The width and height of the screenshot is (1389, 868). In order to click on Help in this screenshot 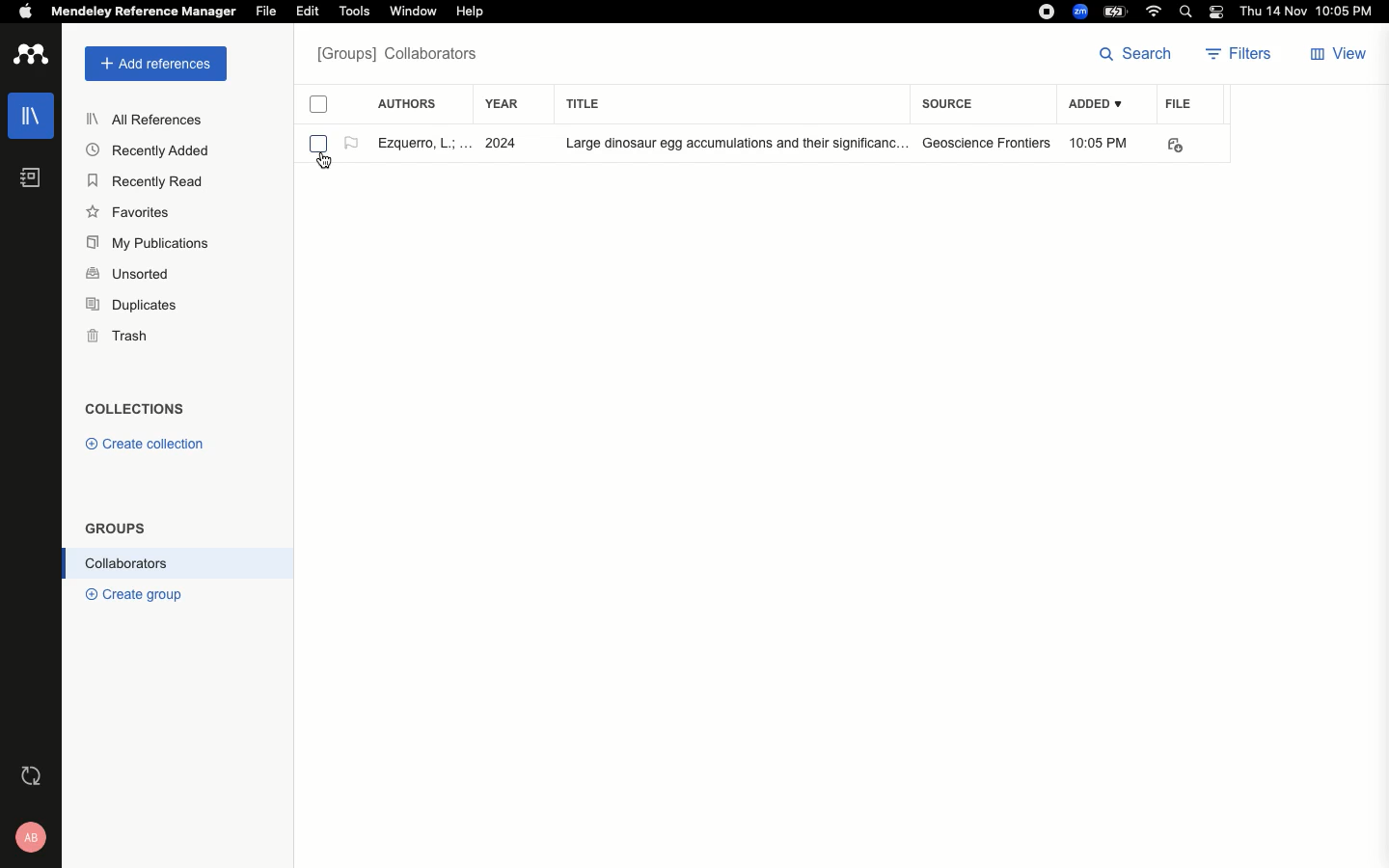, I will do `click(469, 13)`.